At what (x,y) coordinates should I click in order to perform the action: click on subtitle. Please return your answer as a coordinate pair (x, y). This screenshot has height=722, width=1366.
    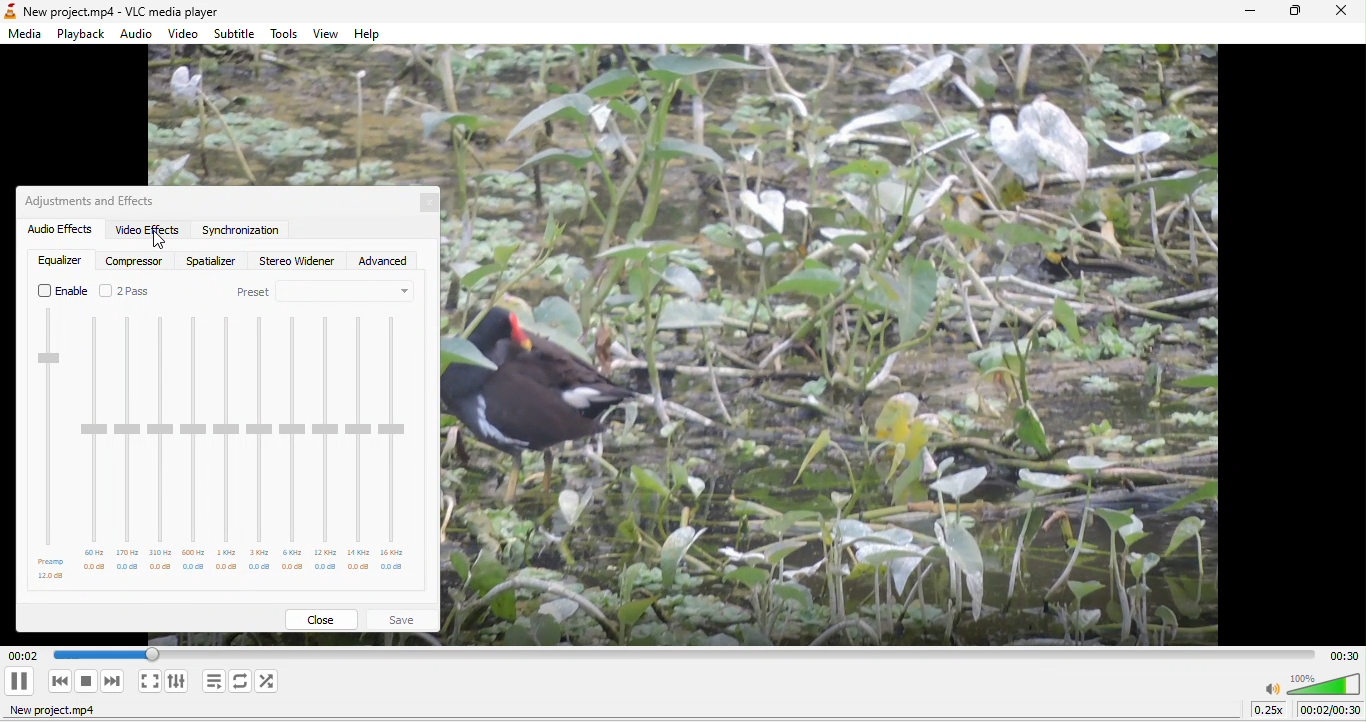
    Looking at the image, I should click on (236, 33).